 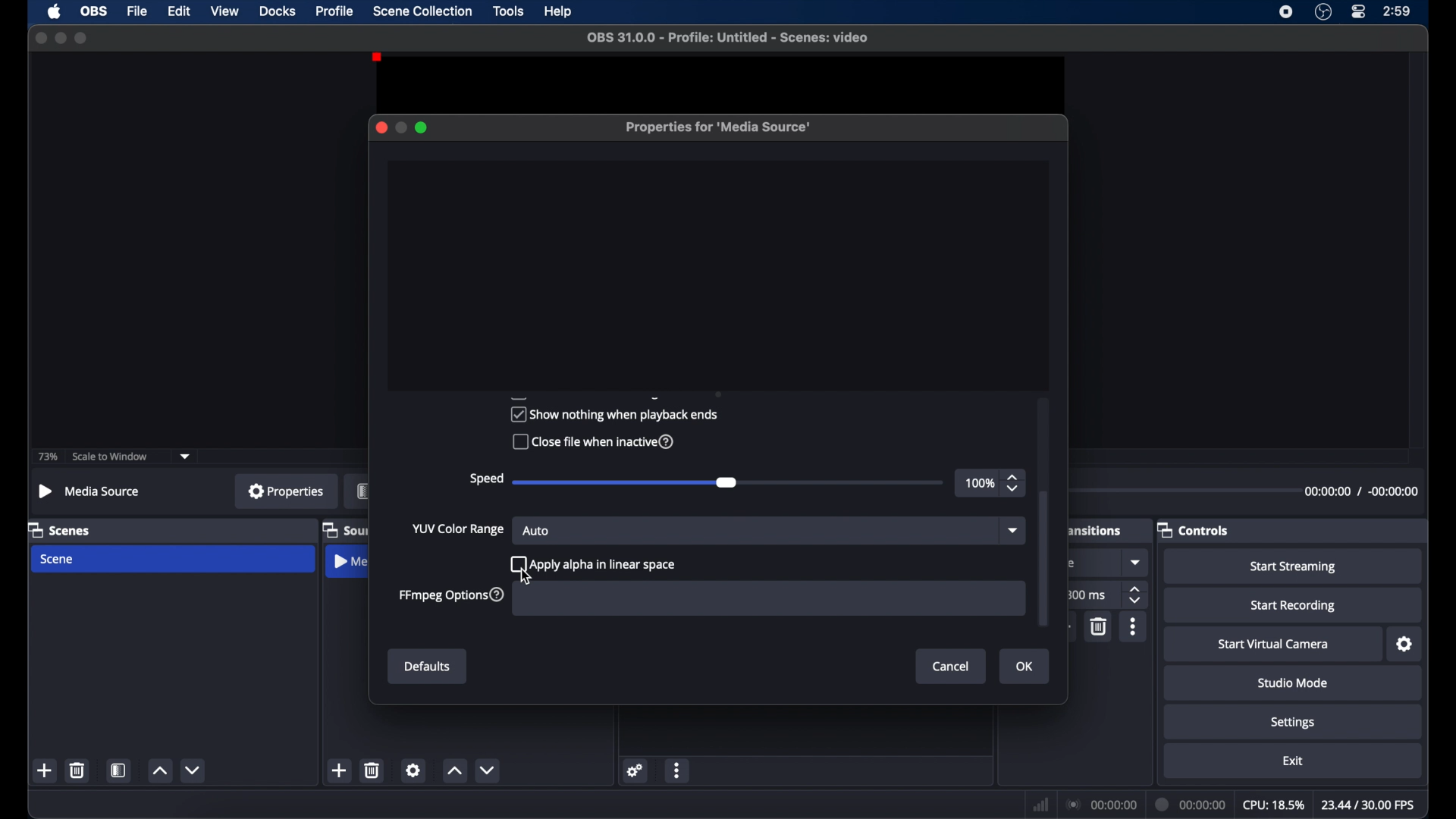 What do you see at coordinates (1363, 491) in the screenshot?
I see `timestamp` at bounding box center [1363, 491].